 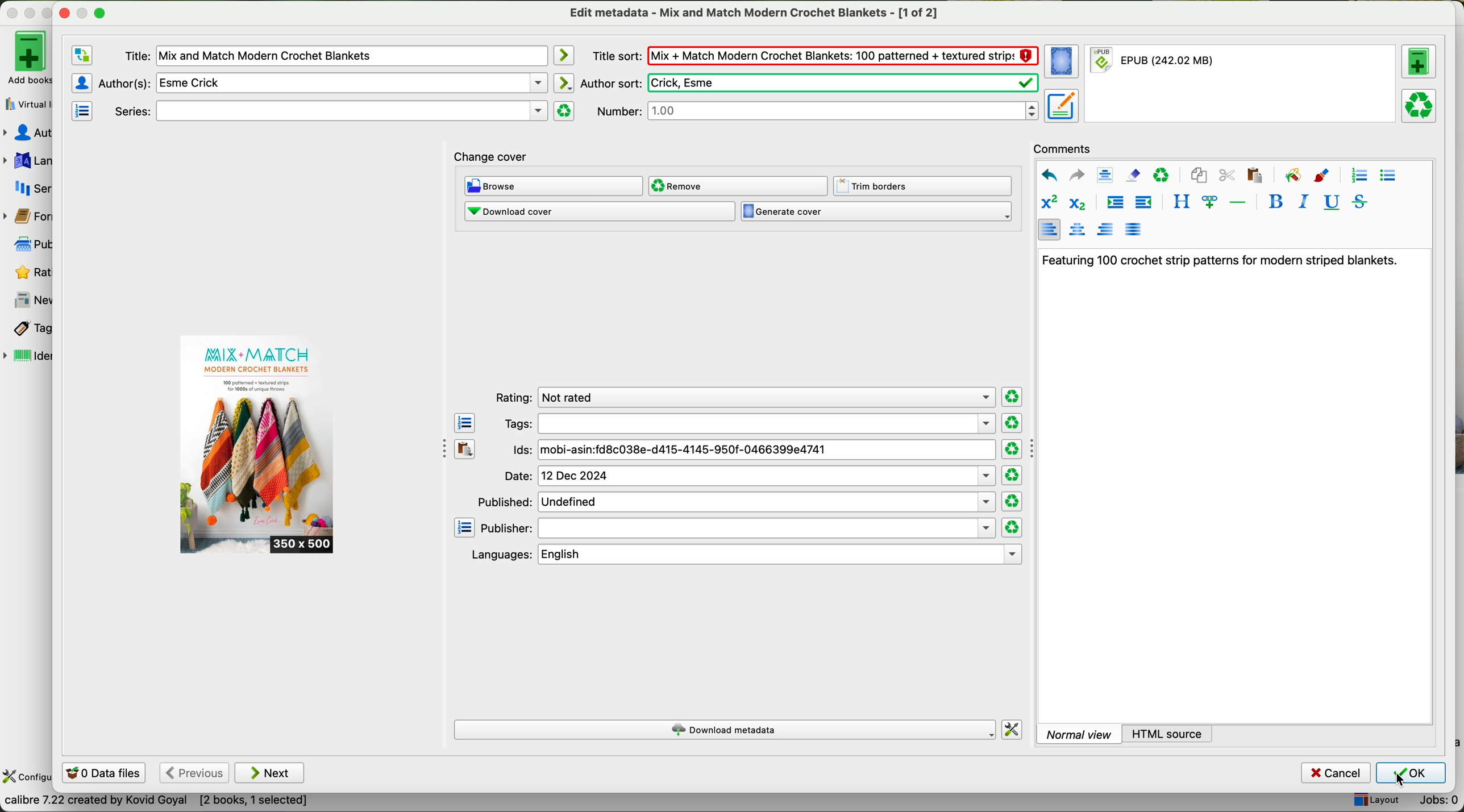 What do you see at coordinates (465, 528) in the screenshot?
I see `open the manage publishers editor` at bounding box center [465, 528].